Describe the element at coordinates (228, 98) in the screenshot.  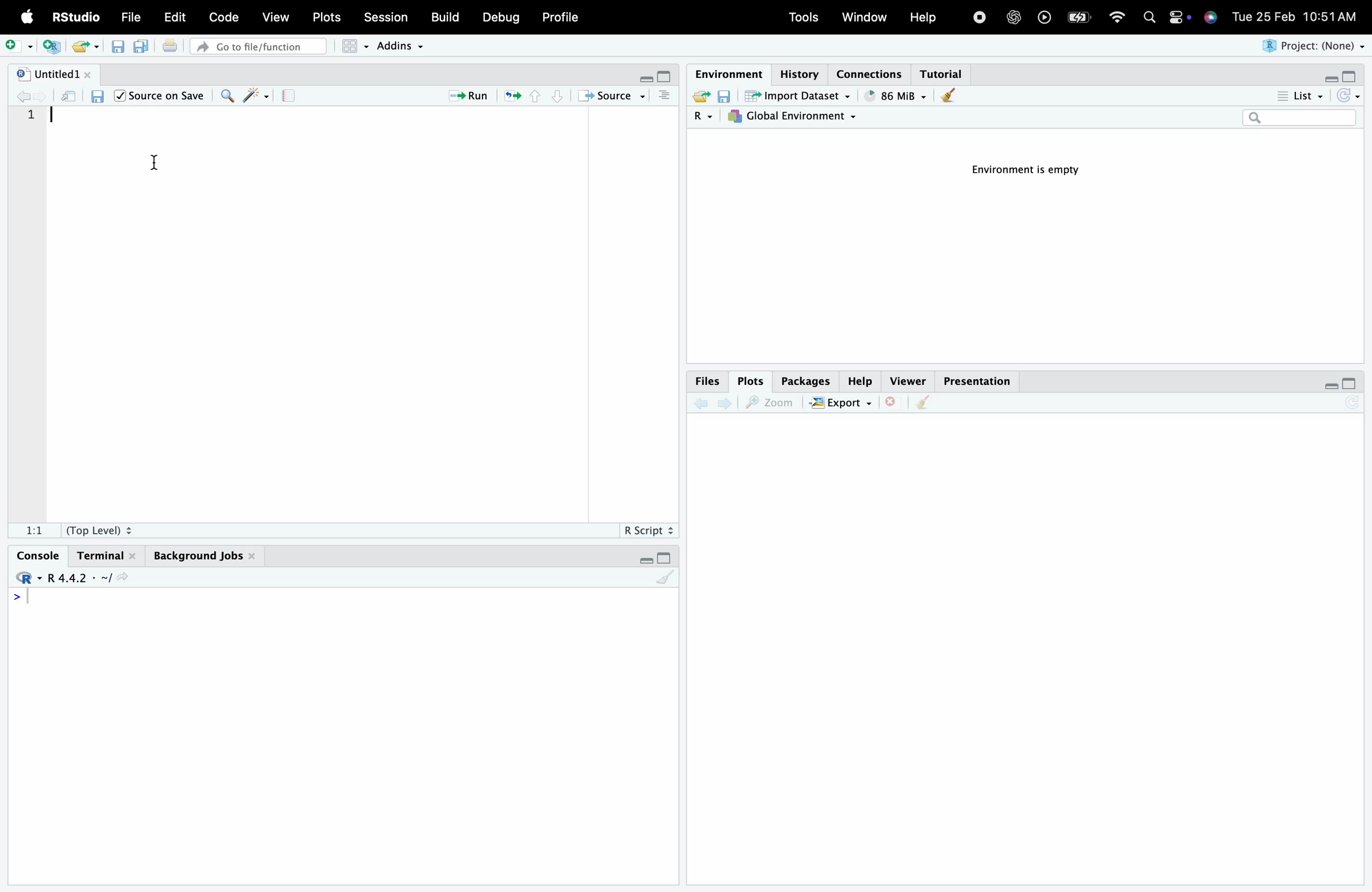
I see `search` at that location.